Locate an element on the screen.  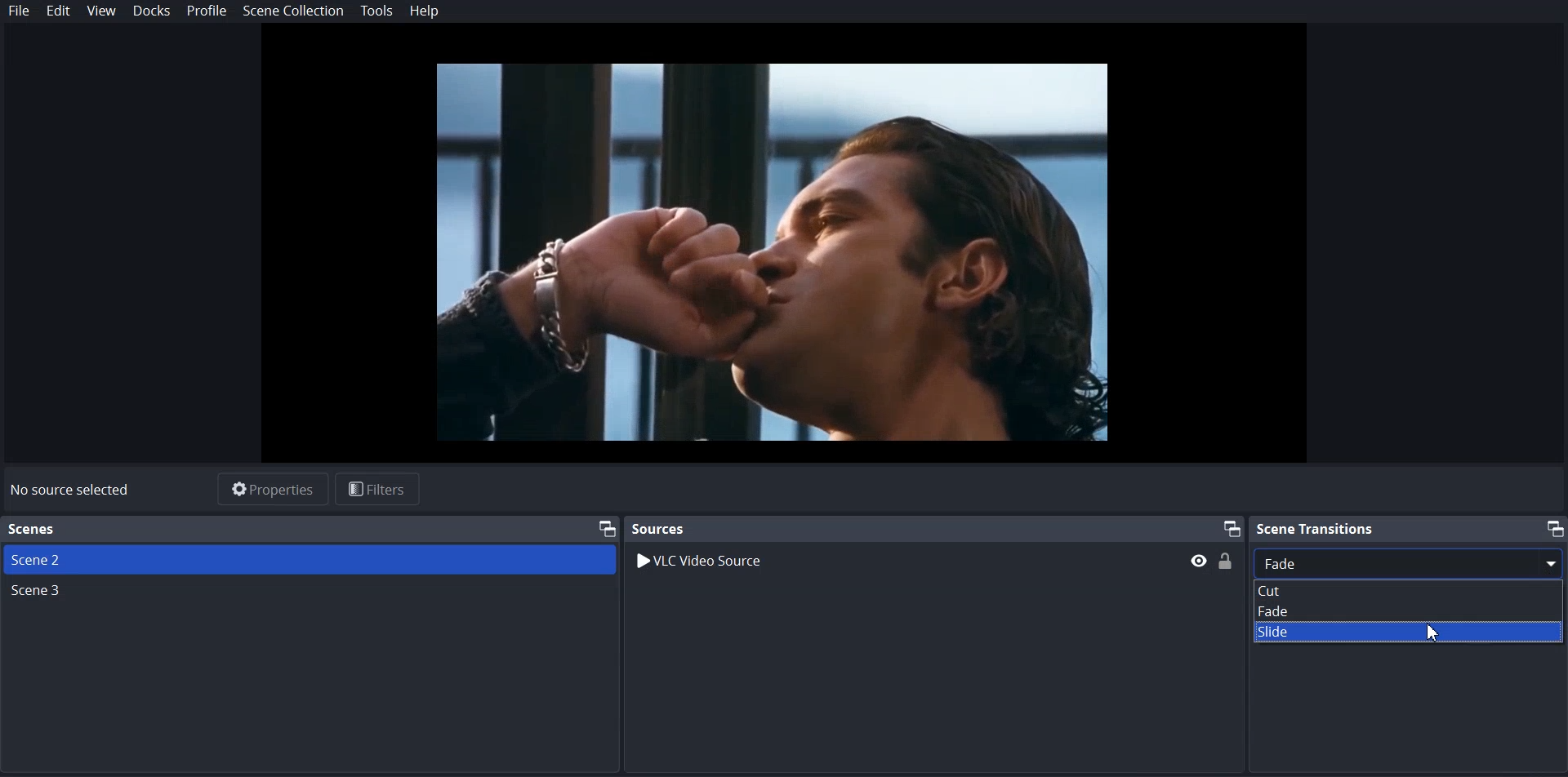
Scene transition is located at coordinates (1409, 527).